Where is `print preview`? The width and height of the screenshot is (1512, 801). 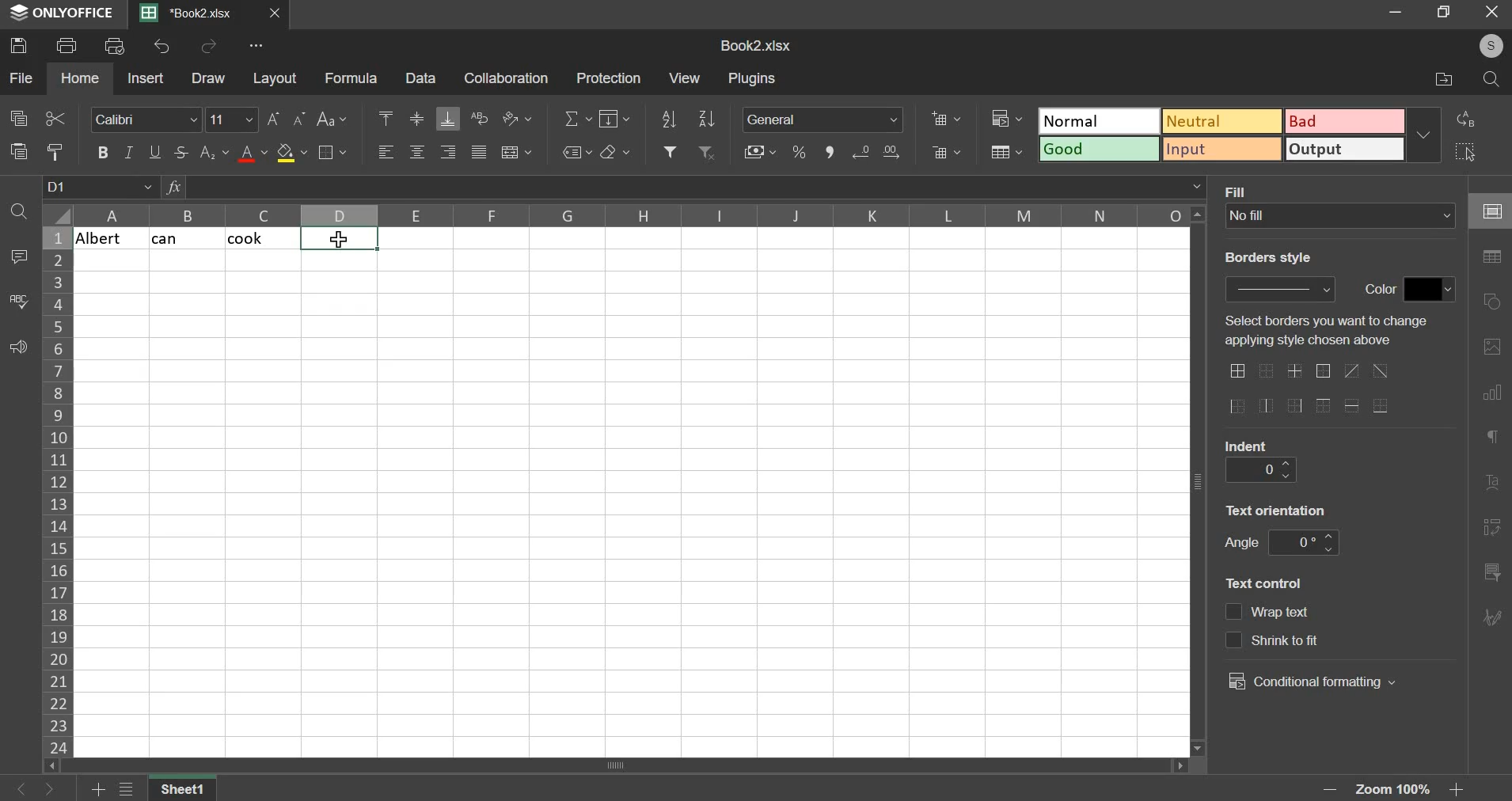 print preview is located at coordinates (116, 46).